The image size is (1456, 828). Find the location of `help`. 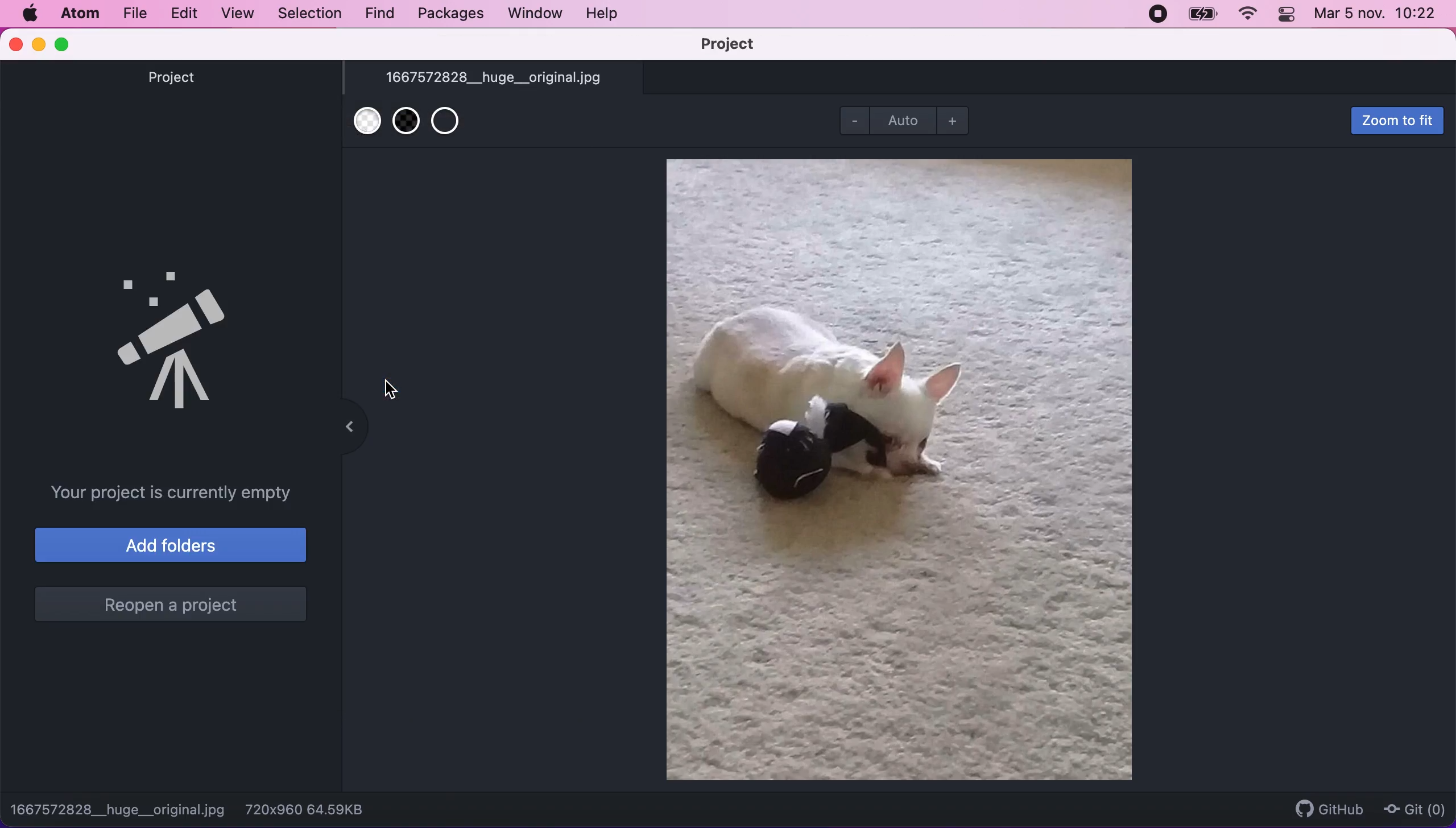

help is located at coordinates (604, 15).